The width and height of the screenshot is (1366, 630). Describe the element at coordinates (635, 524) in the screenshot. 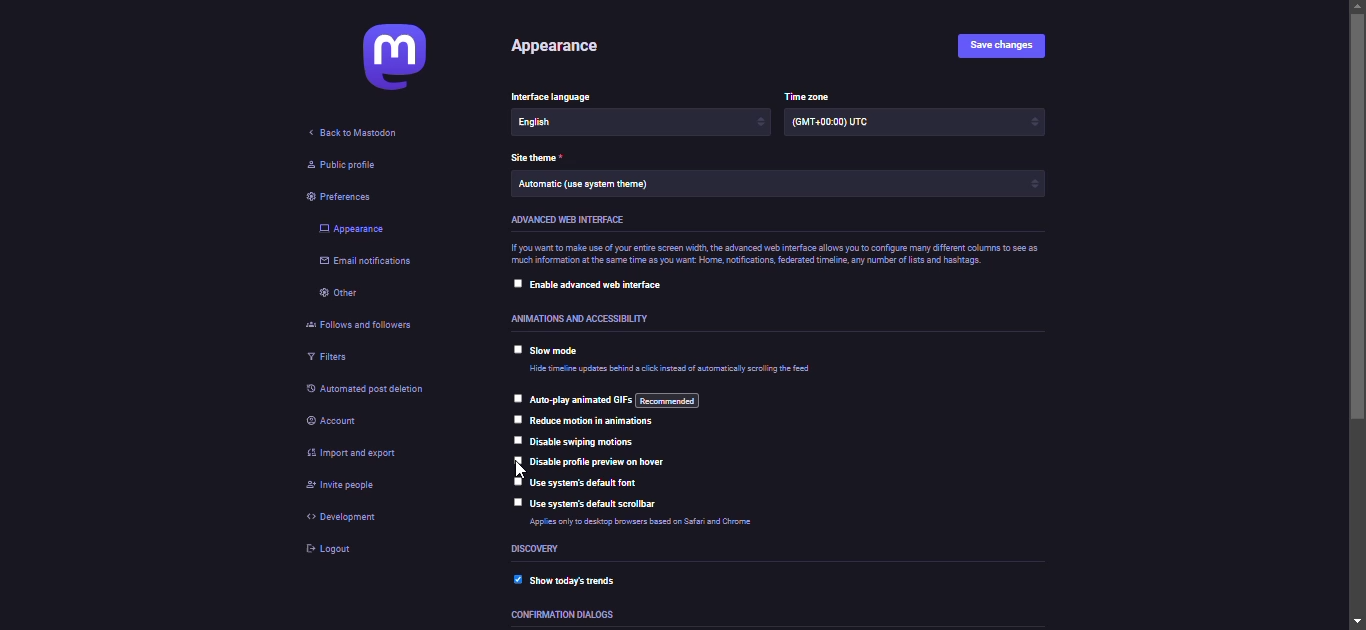

I see `info` at that location.